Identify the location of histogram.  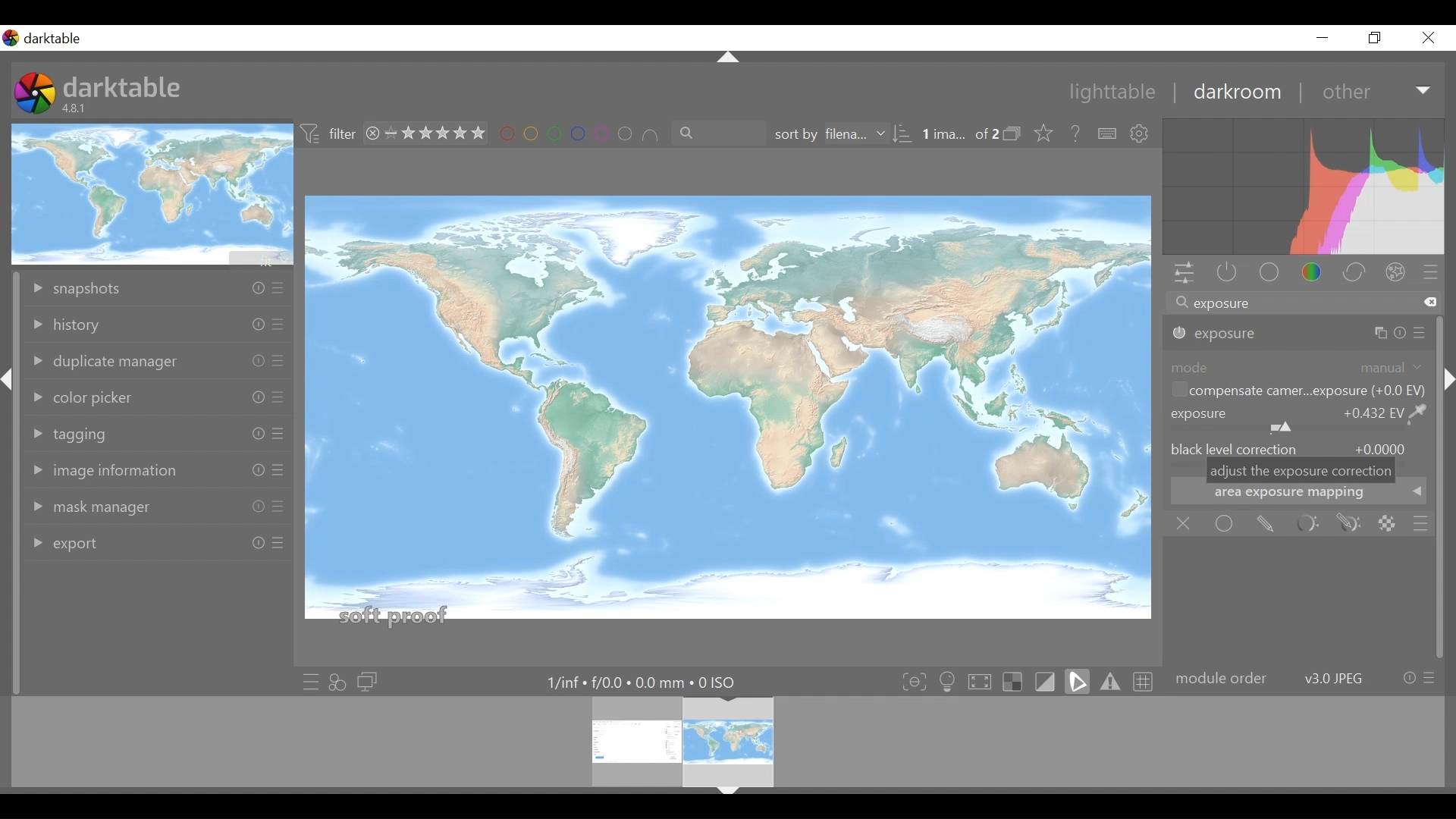
(1304, 189).